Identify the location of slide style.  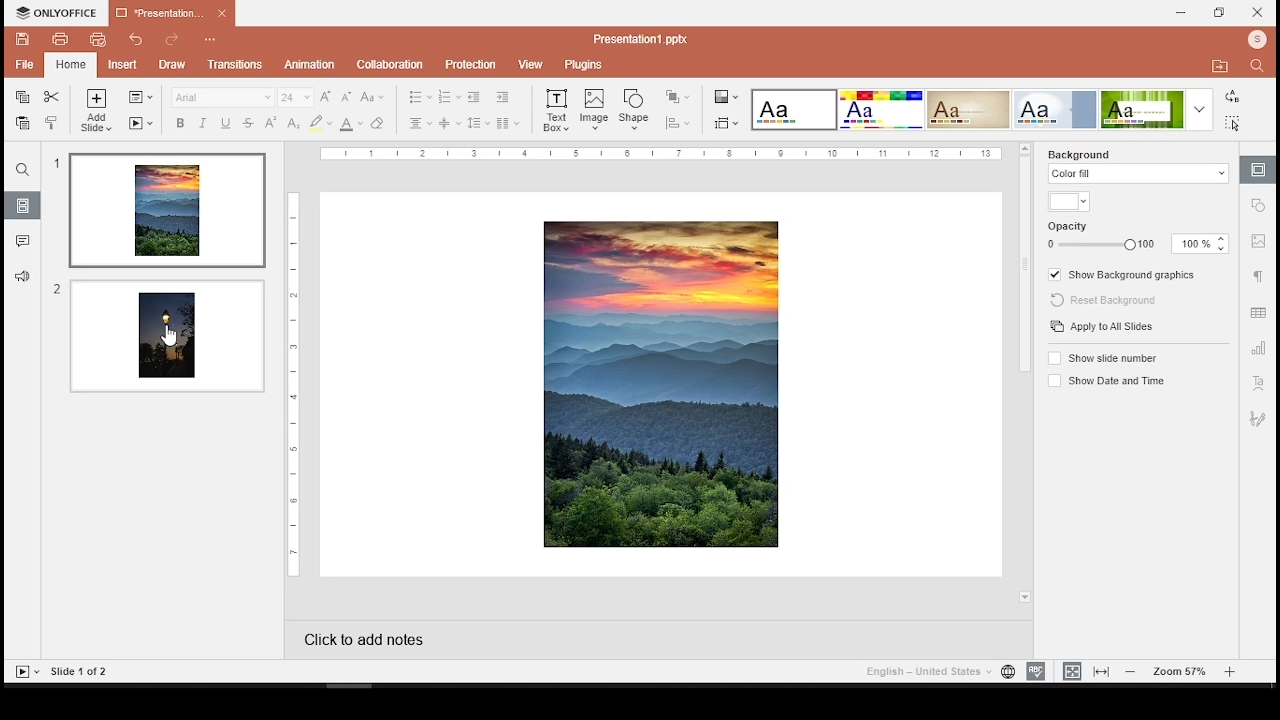
(794, 109).